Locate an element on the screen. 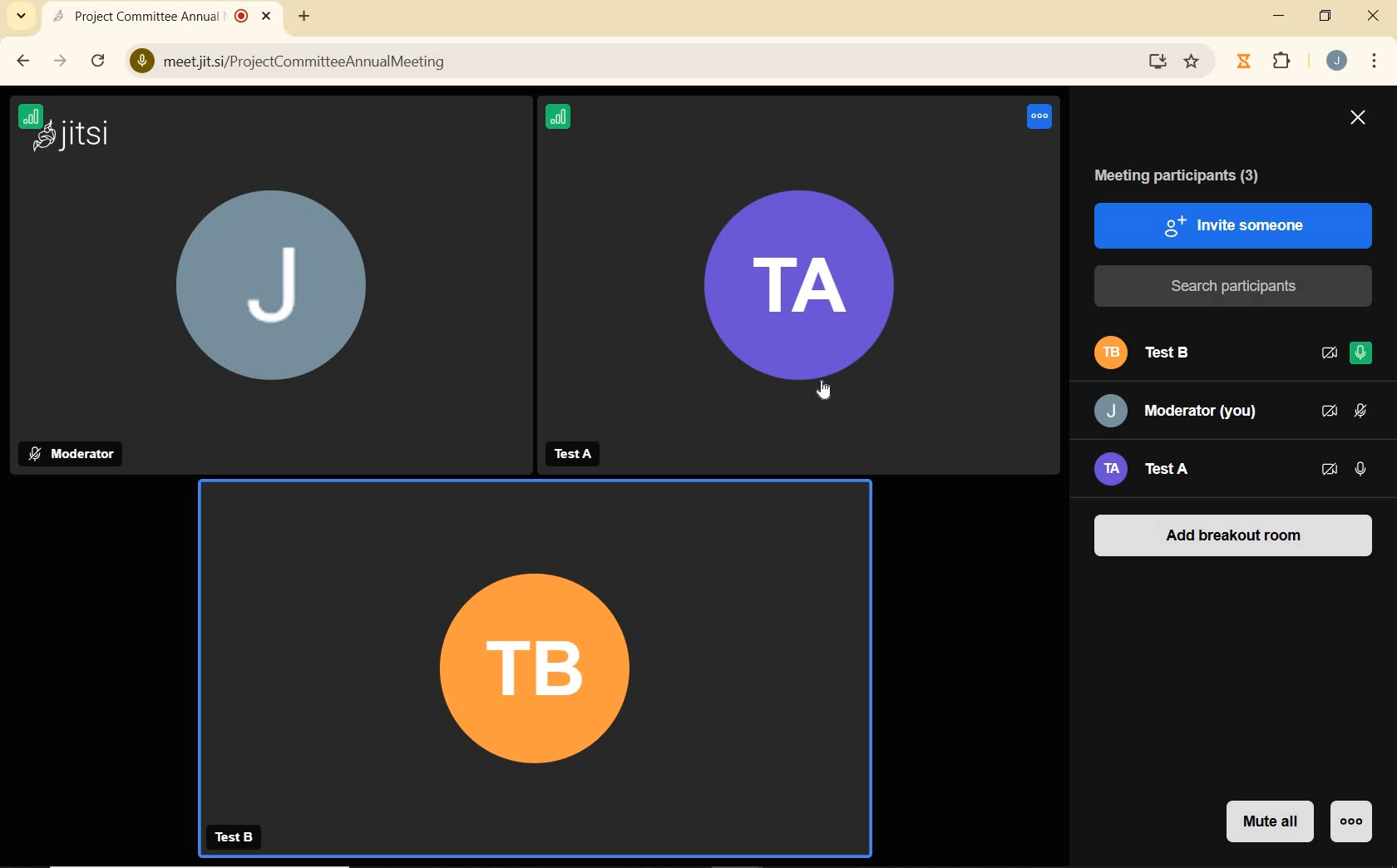  FORWARD is located at coordinates (62, 62).